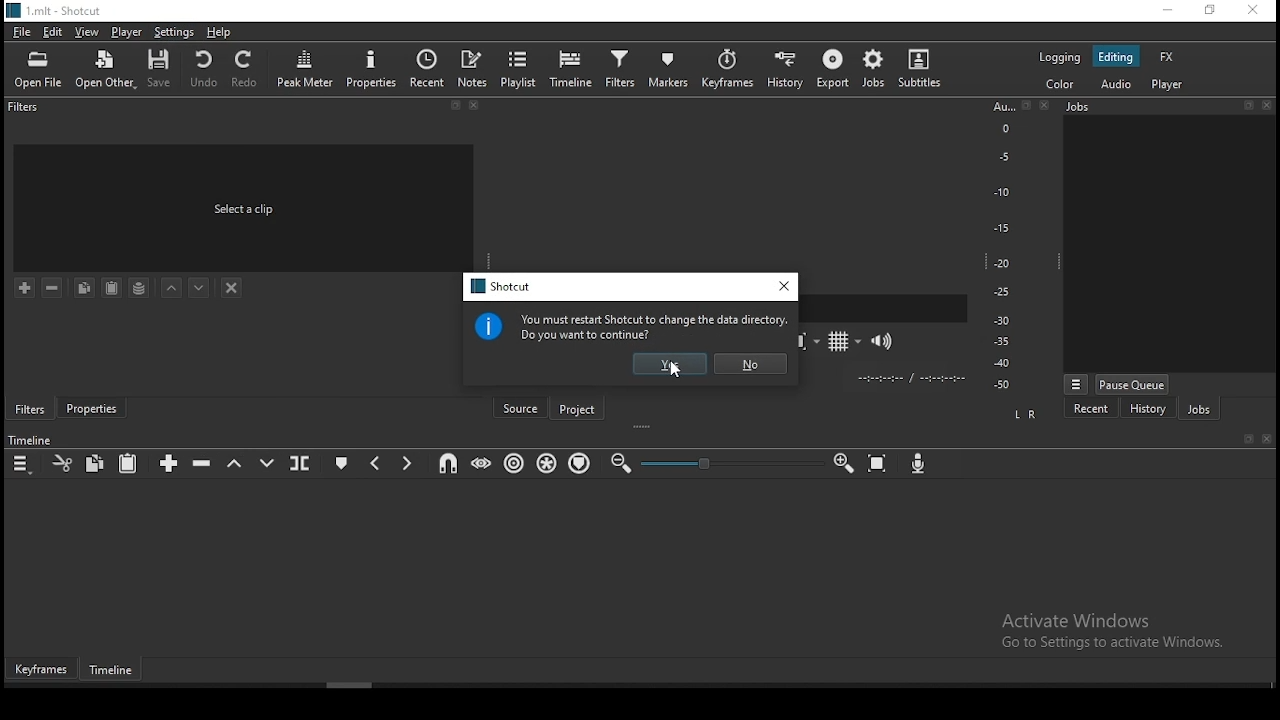 The image size is (1280, 720). Describe the element at coordinates (171, 463) in the screenshot. I see `append` at that location.